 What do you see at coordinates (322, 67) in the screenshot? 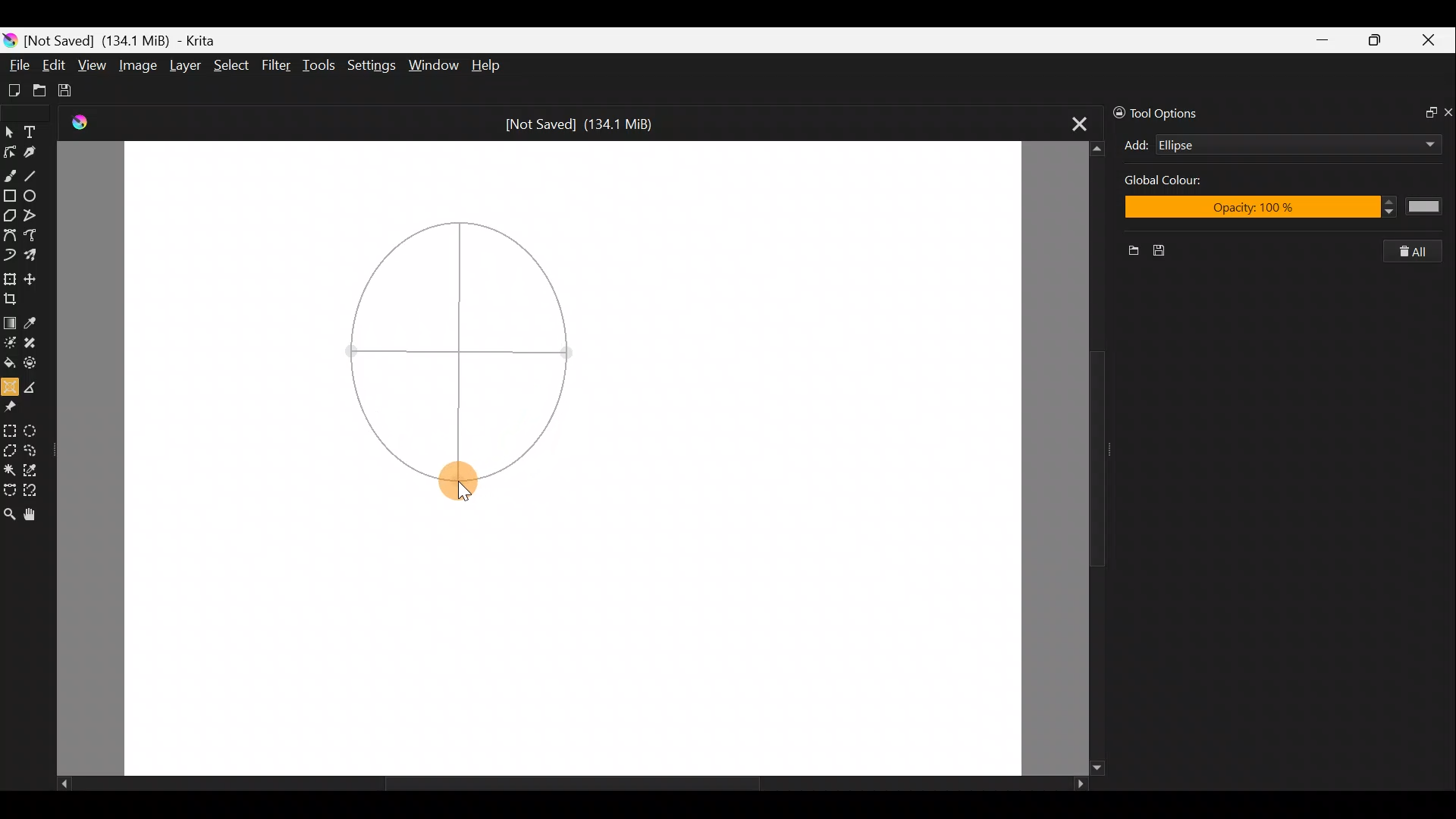
I see `Tools` at bounding box center [322, 67].